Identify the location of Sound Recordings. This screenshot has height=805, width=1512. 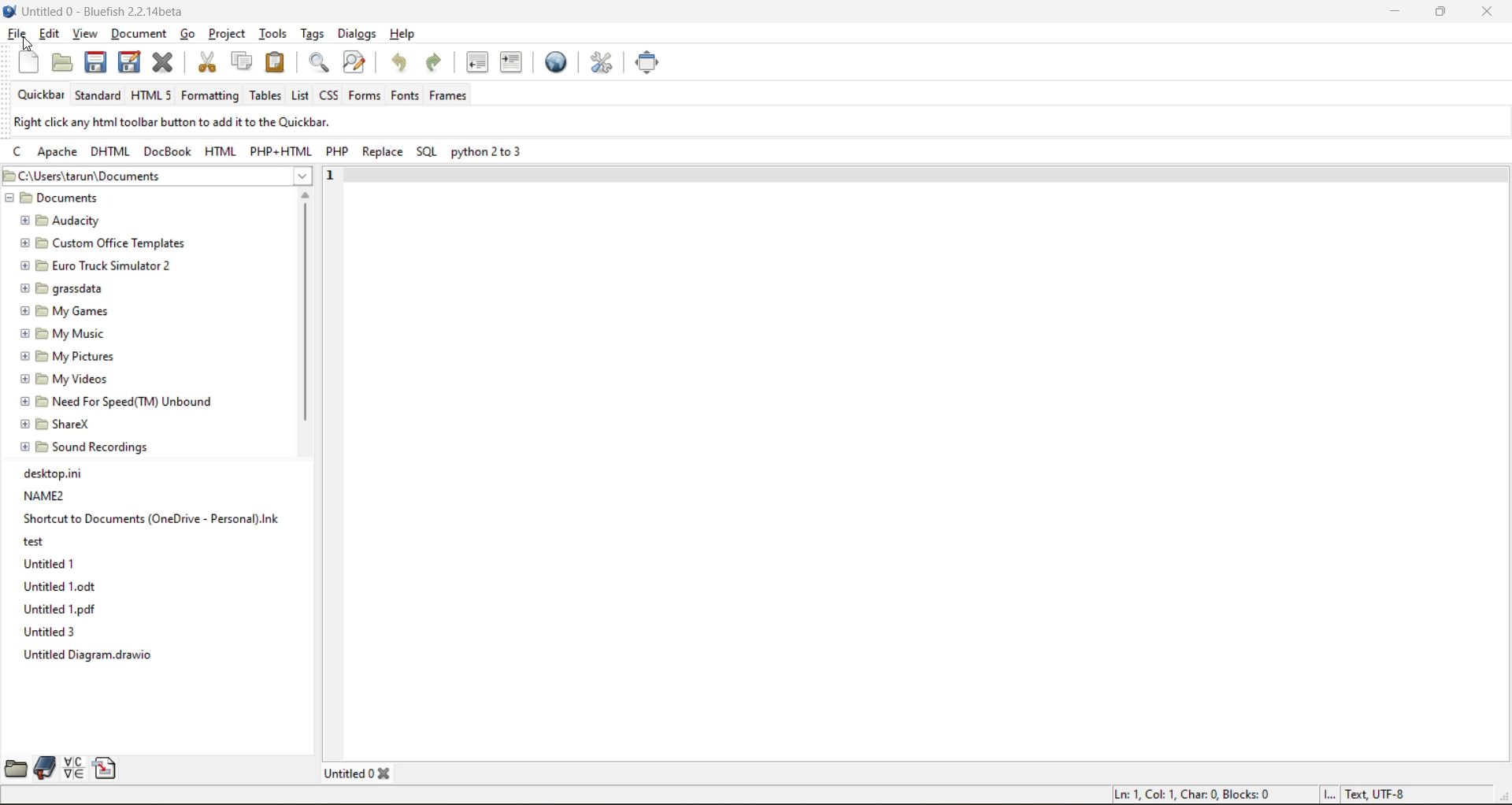
(83, 446).